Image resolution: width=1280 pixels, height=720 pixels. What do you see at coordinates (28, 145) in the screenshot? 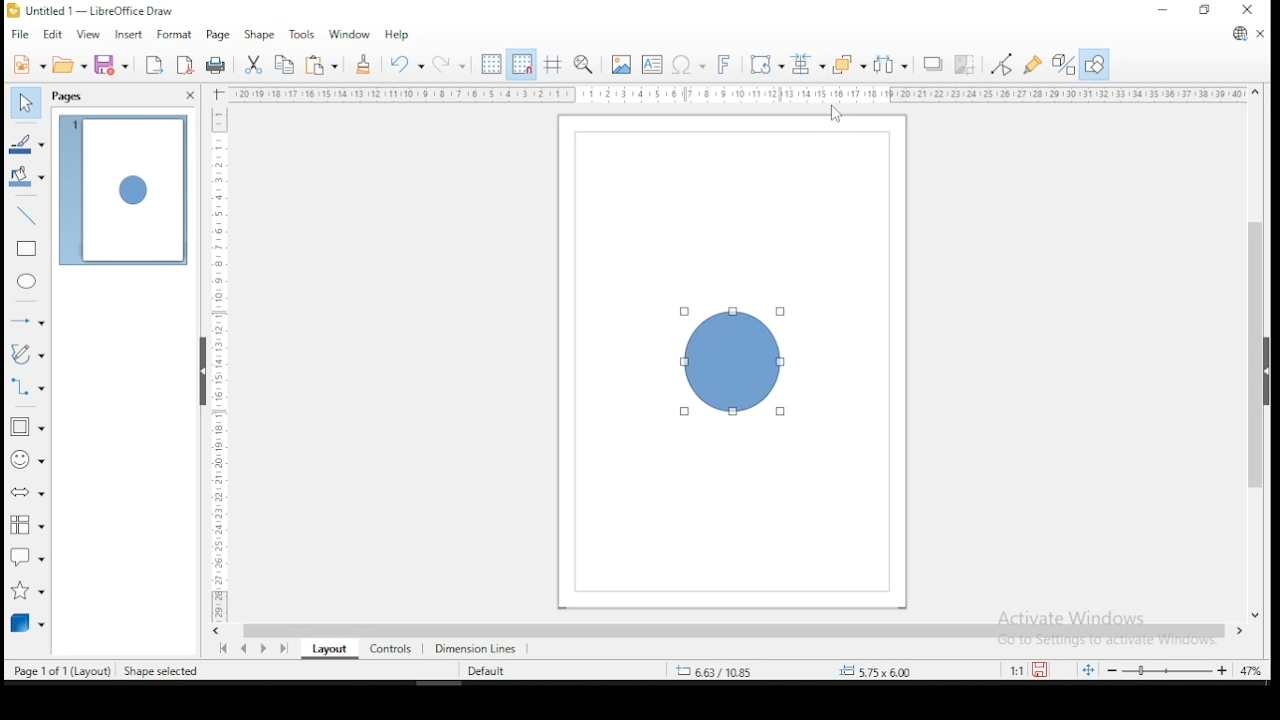
I see `line color` at bounding box center [28, 145].